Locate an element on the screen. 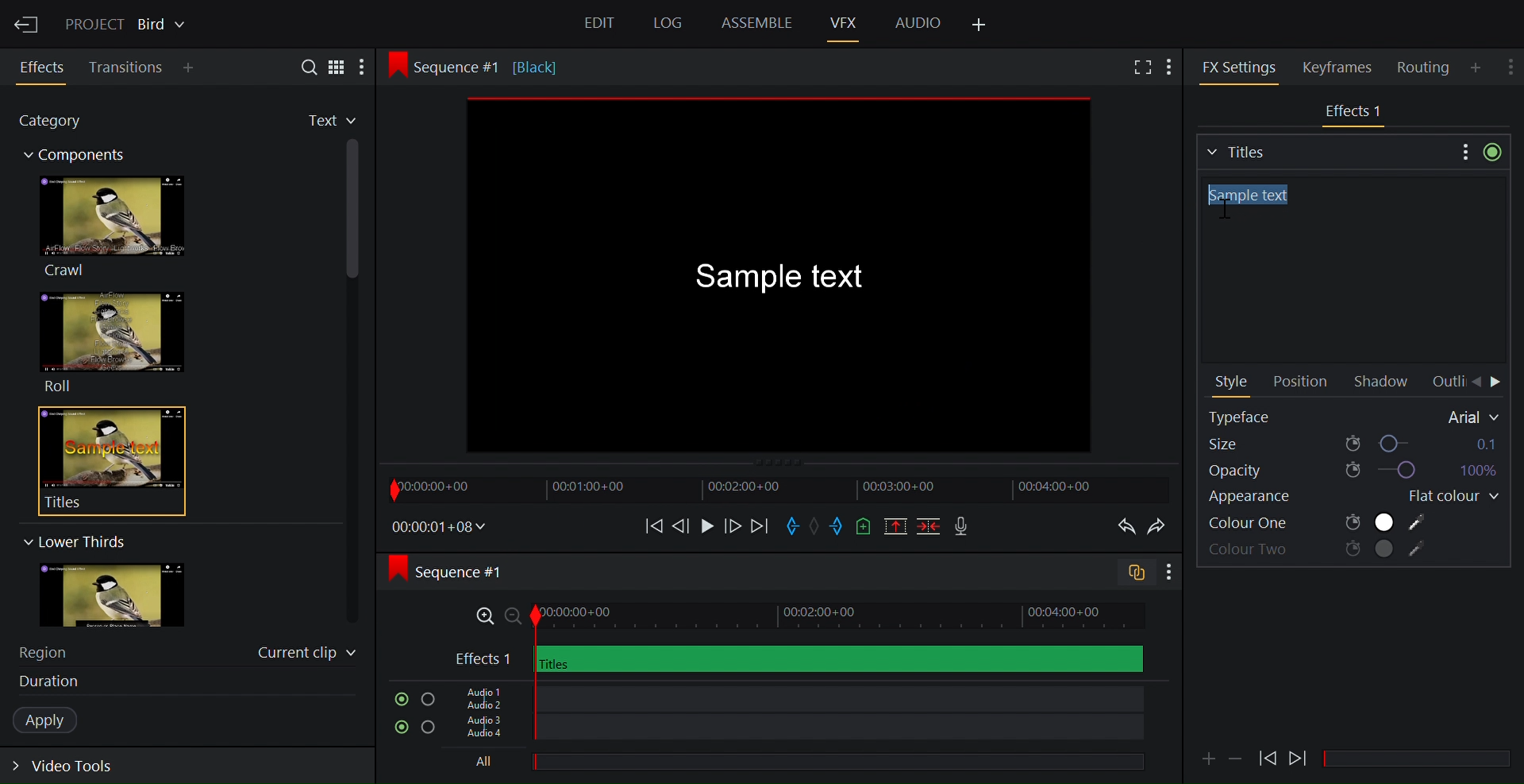 The width and height of the screenshot is (1524, 784). Play Forward is located at coordinates (1268, 758).